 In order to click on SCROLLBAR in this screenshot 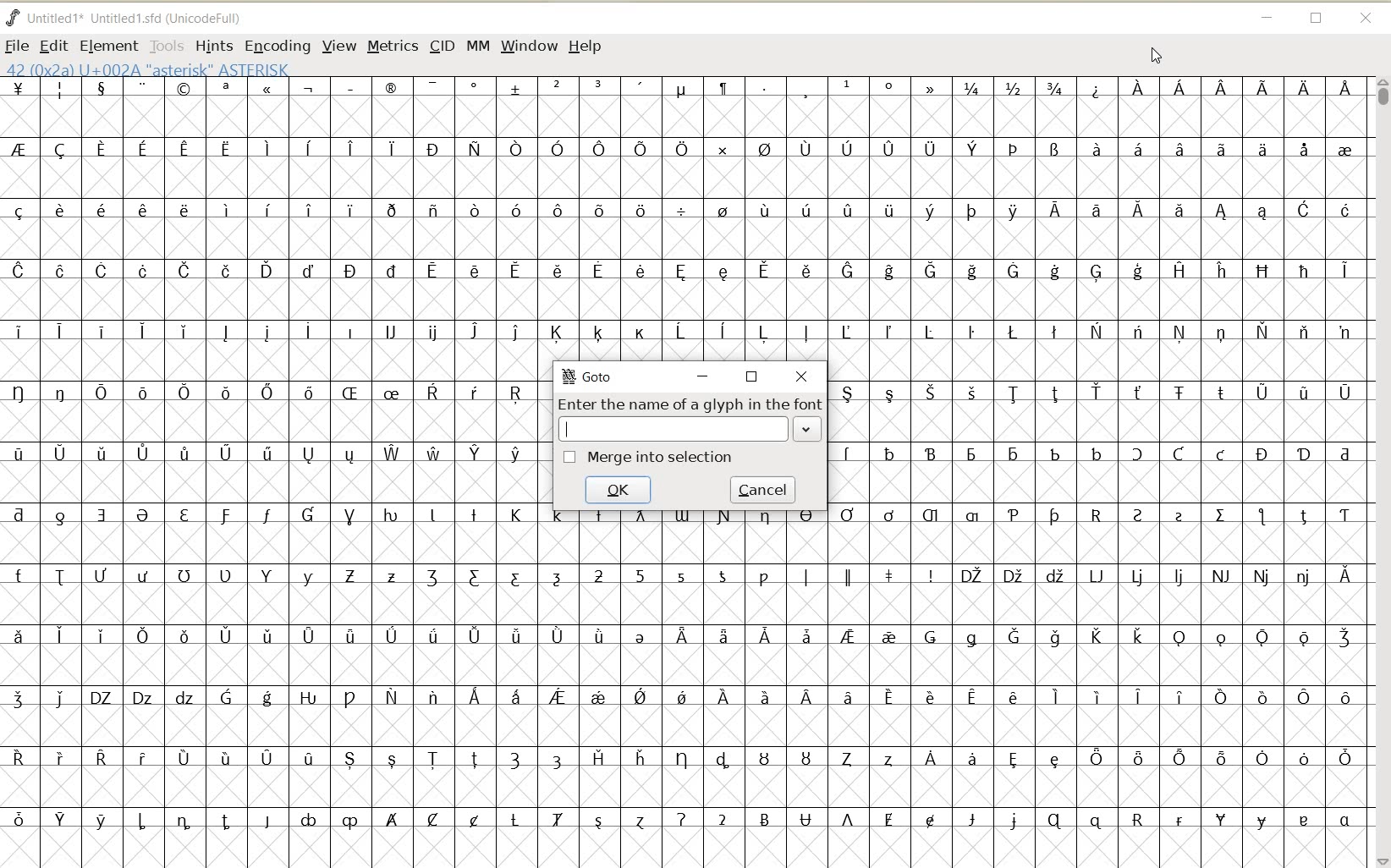, I will do `click(1381, 471)`.